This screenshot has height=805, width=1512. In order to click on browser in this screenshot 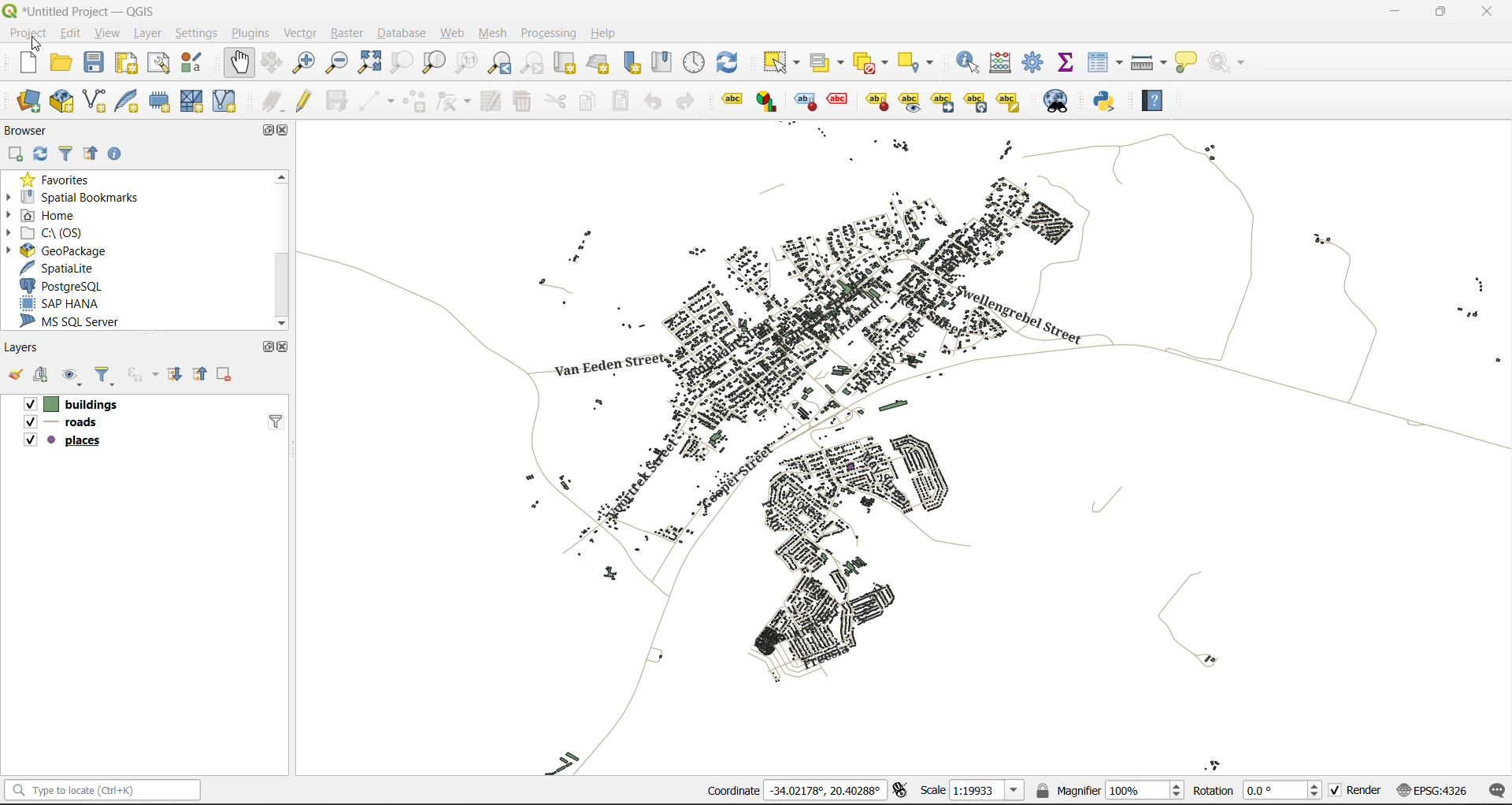, I will do `click(27, 131)`.